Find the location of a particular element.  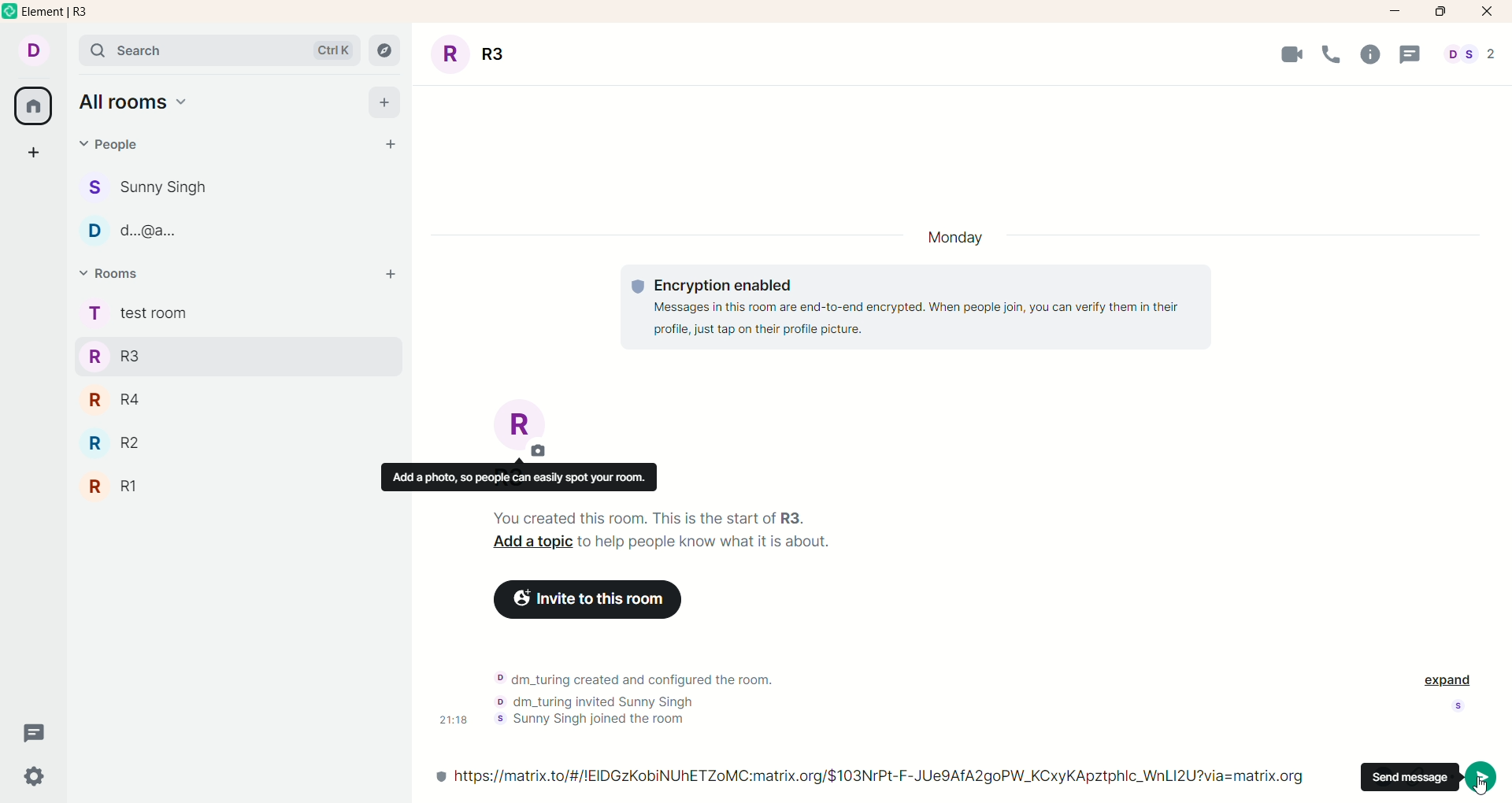

threads is located at coordinates (34, 735).